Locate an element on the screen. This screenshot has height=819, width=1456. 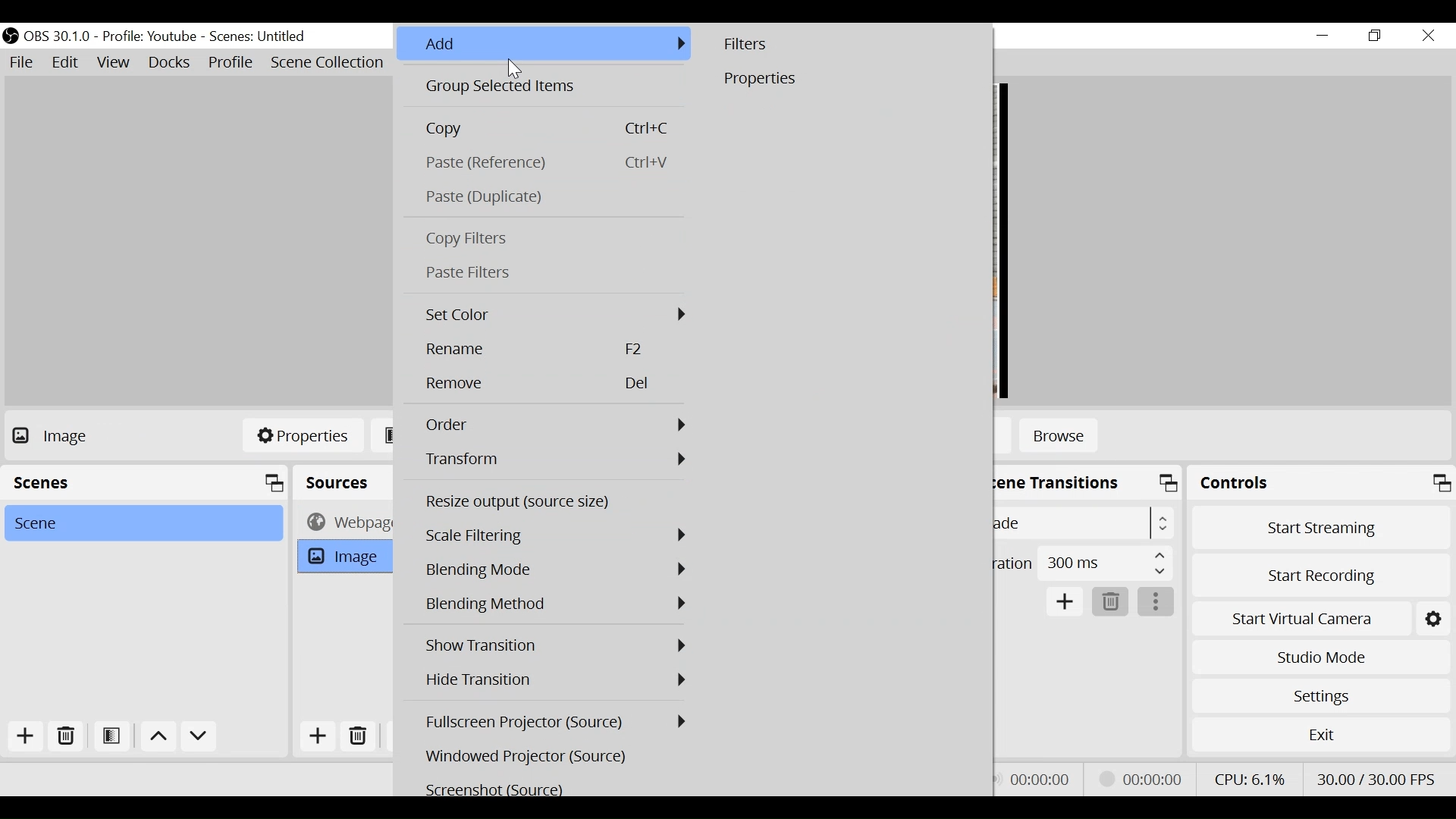
Copy Filters is located at coordinates (544, 240).